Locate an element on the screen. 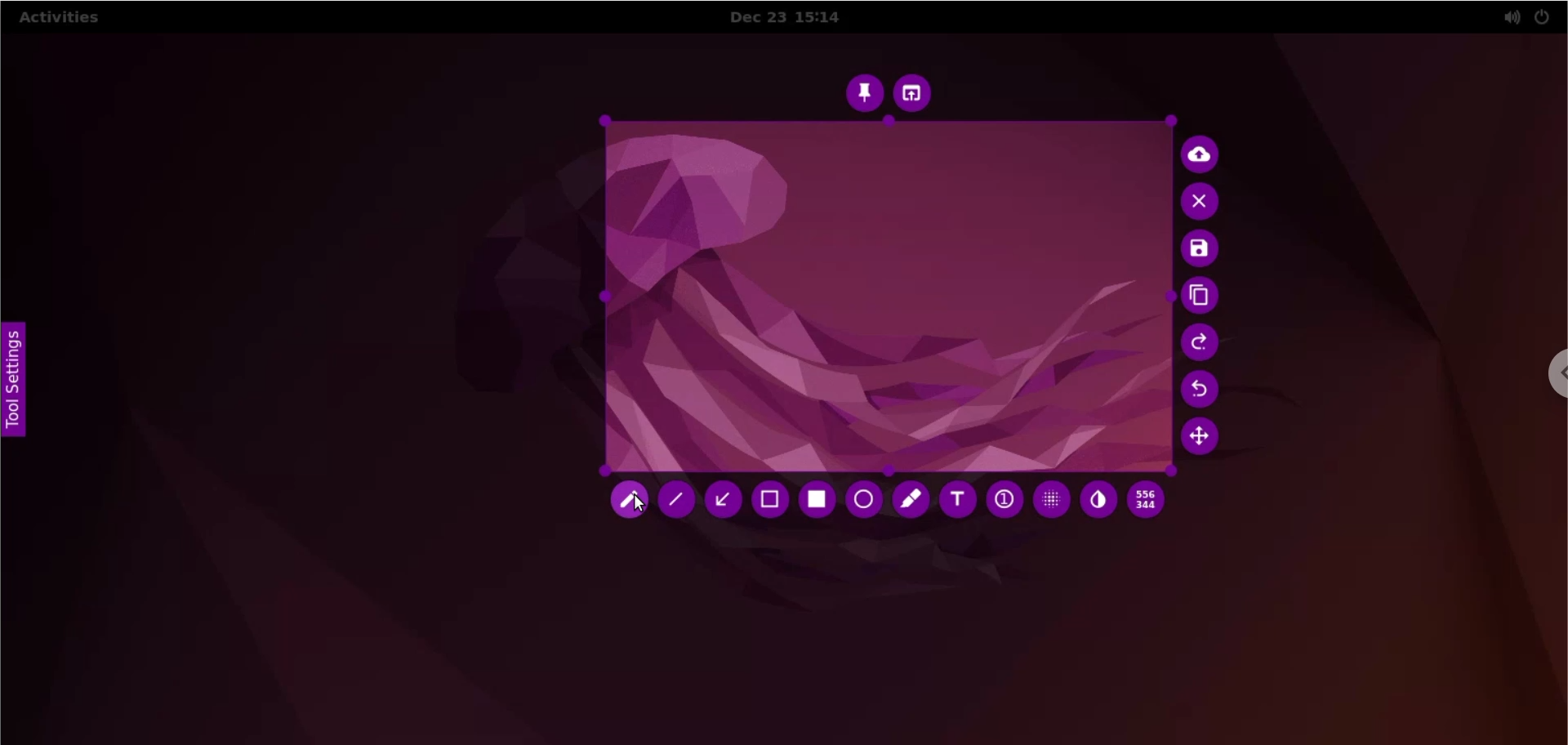 The height and width of the screenshot is (745, 1568). tool settings is located at coordinates (16, 383).